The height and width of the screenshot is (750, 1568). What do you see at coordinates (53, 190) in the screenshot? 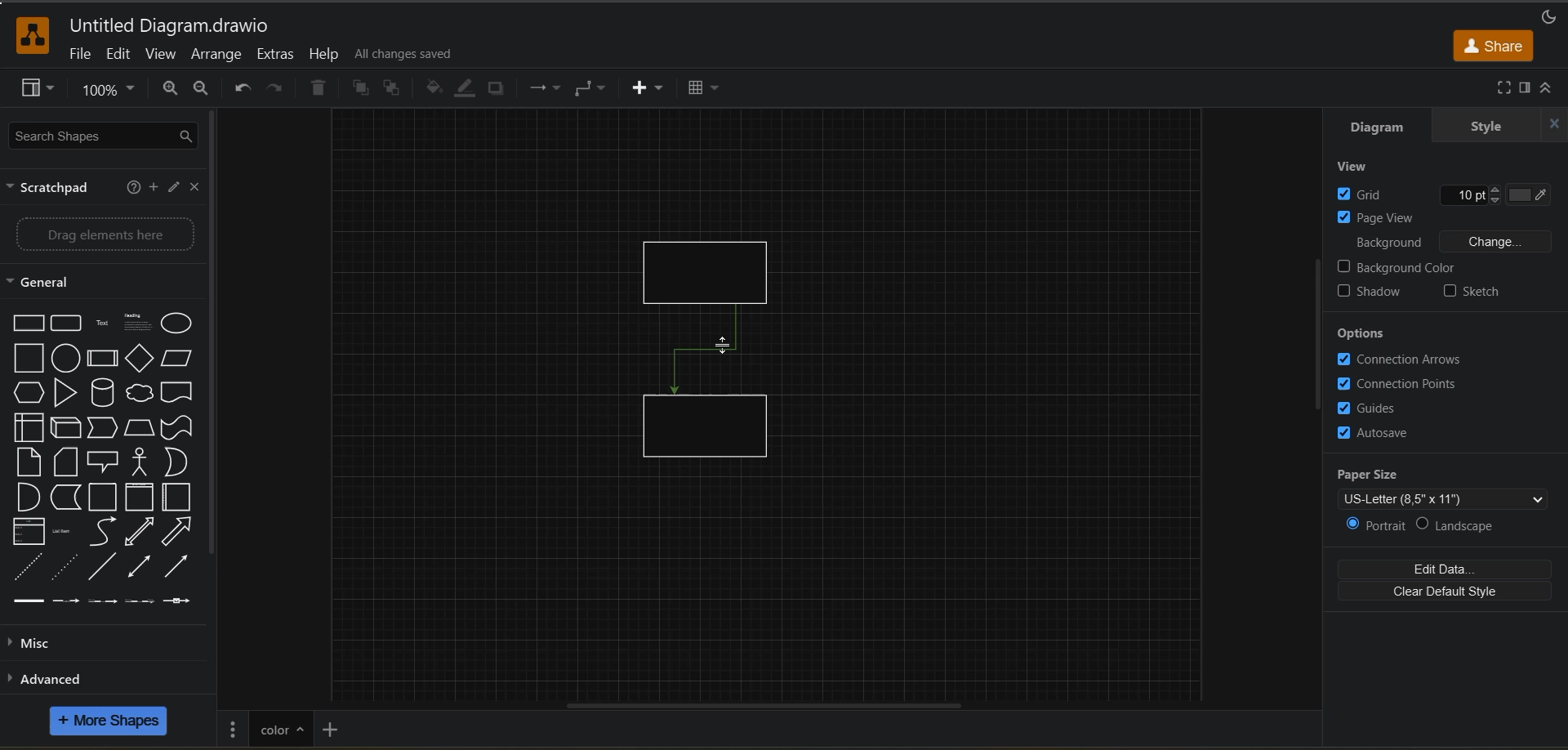
I see `scratchpad` at bounding box center [53, 190].